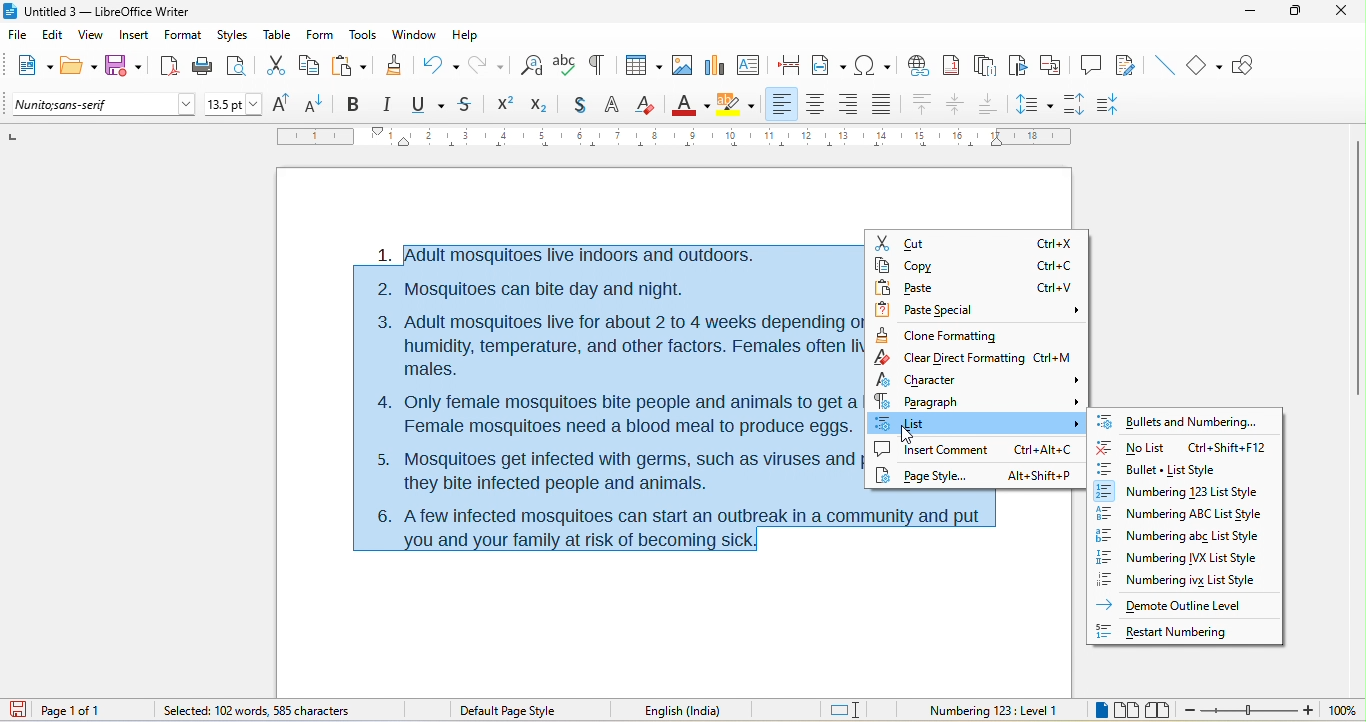 Image resolution: width=1366 pixels, height=722 pixels. What do you see at coordinates (975, 452) in the screenshot?
I see `insert comment` at bounding box center [975, 452].